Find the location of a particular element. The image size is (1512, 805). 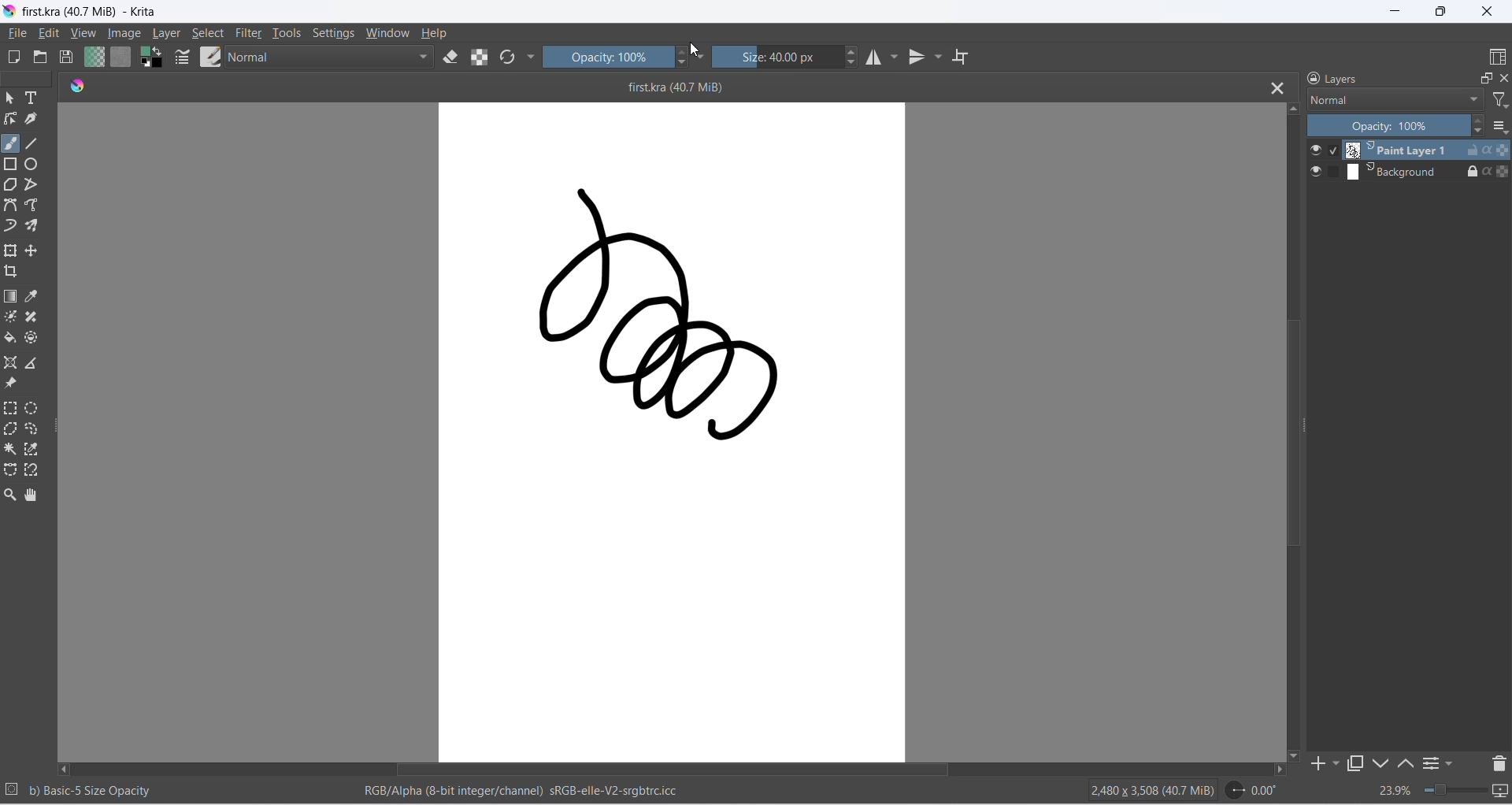

draw a gradient is located at coordinates (10, 297).